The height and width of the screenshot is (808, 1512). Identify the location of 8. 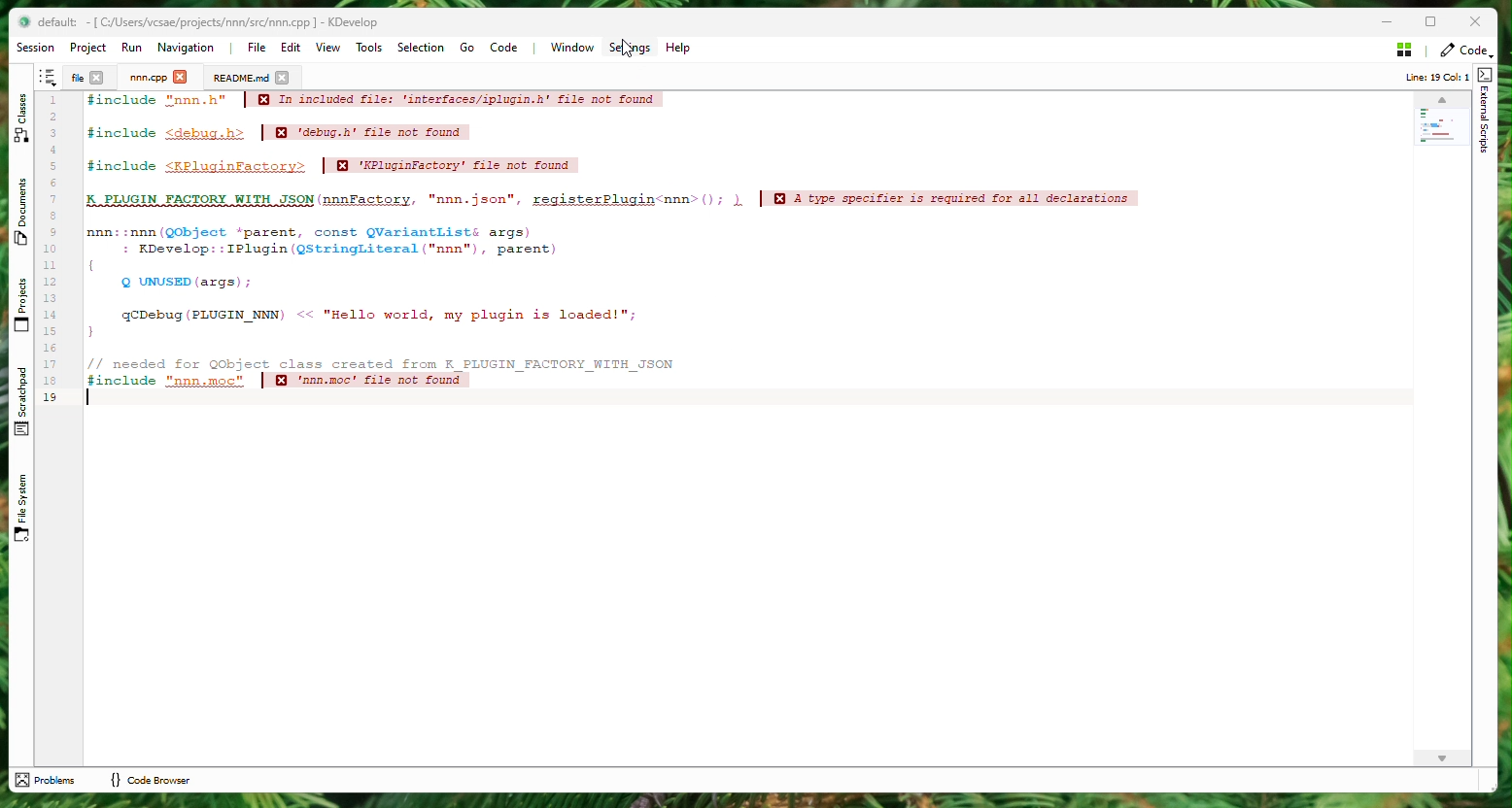
(52, 216).